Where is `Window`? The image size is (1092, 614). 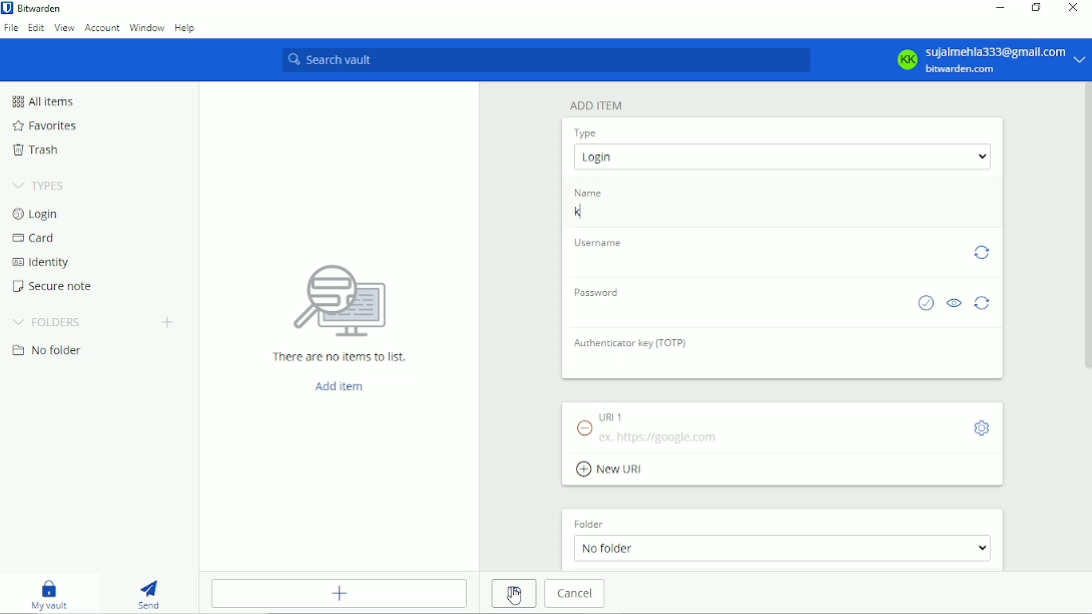 Window is located at coordinates (147, 27).